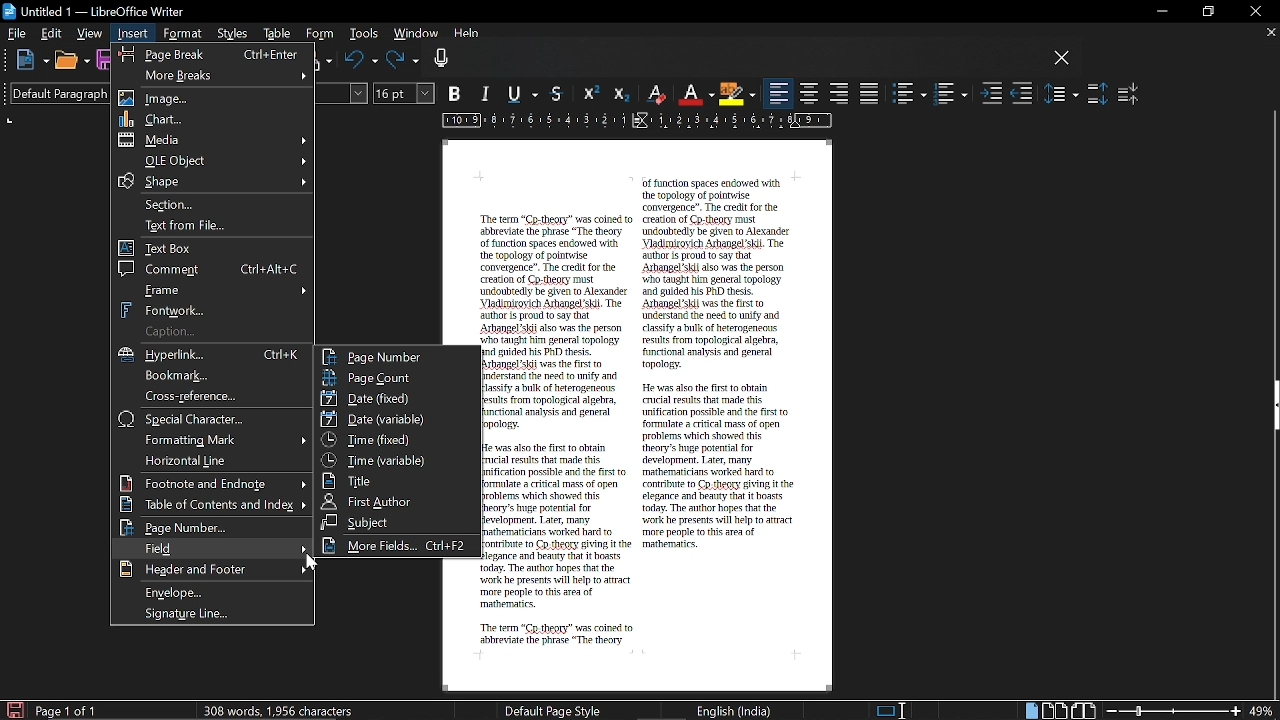 This screenshot has height=720, width=1280. I want to click on 306 words, 1956 characters, so click(282, 710).